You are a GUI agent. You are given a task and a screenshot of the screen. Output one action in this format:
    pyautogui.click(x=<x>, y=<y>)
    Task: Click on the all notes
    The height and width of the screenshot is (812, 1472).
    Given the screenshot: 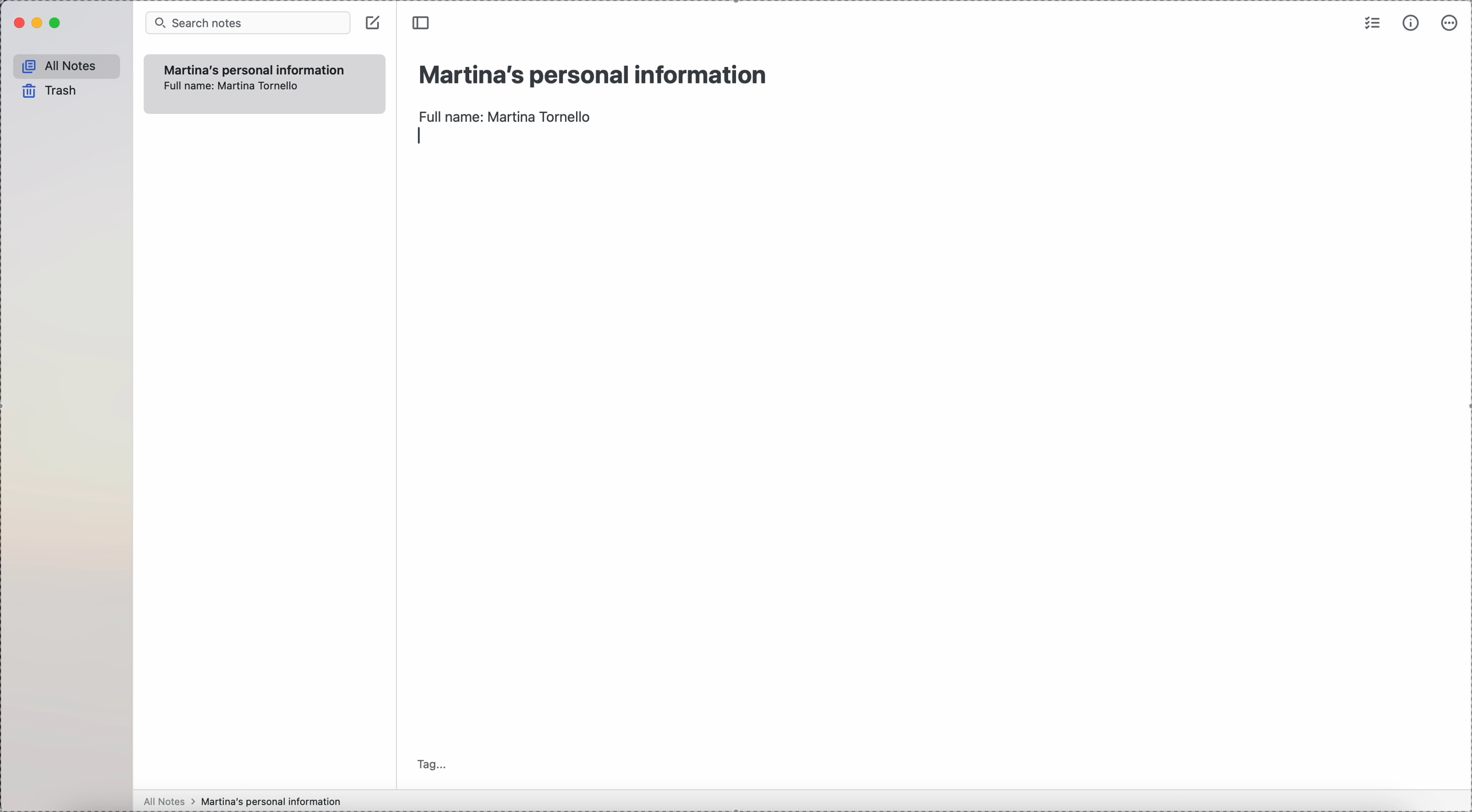 What is the action you would take?
    pyautogui.click(x=66, y=66)
    